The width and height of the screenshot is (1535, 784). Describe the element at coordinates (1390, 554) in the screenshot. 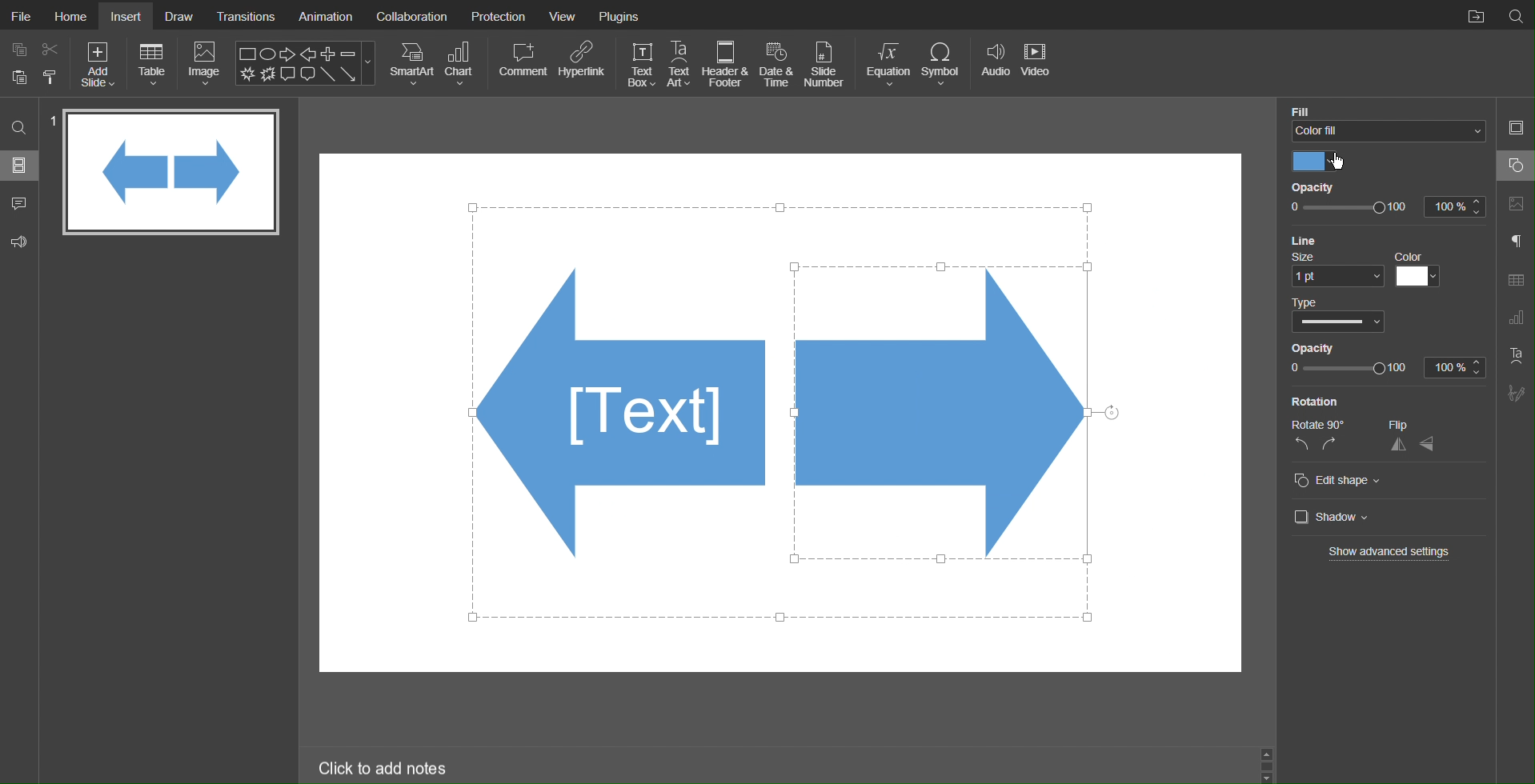

I see `Show advanced settings` at that location.